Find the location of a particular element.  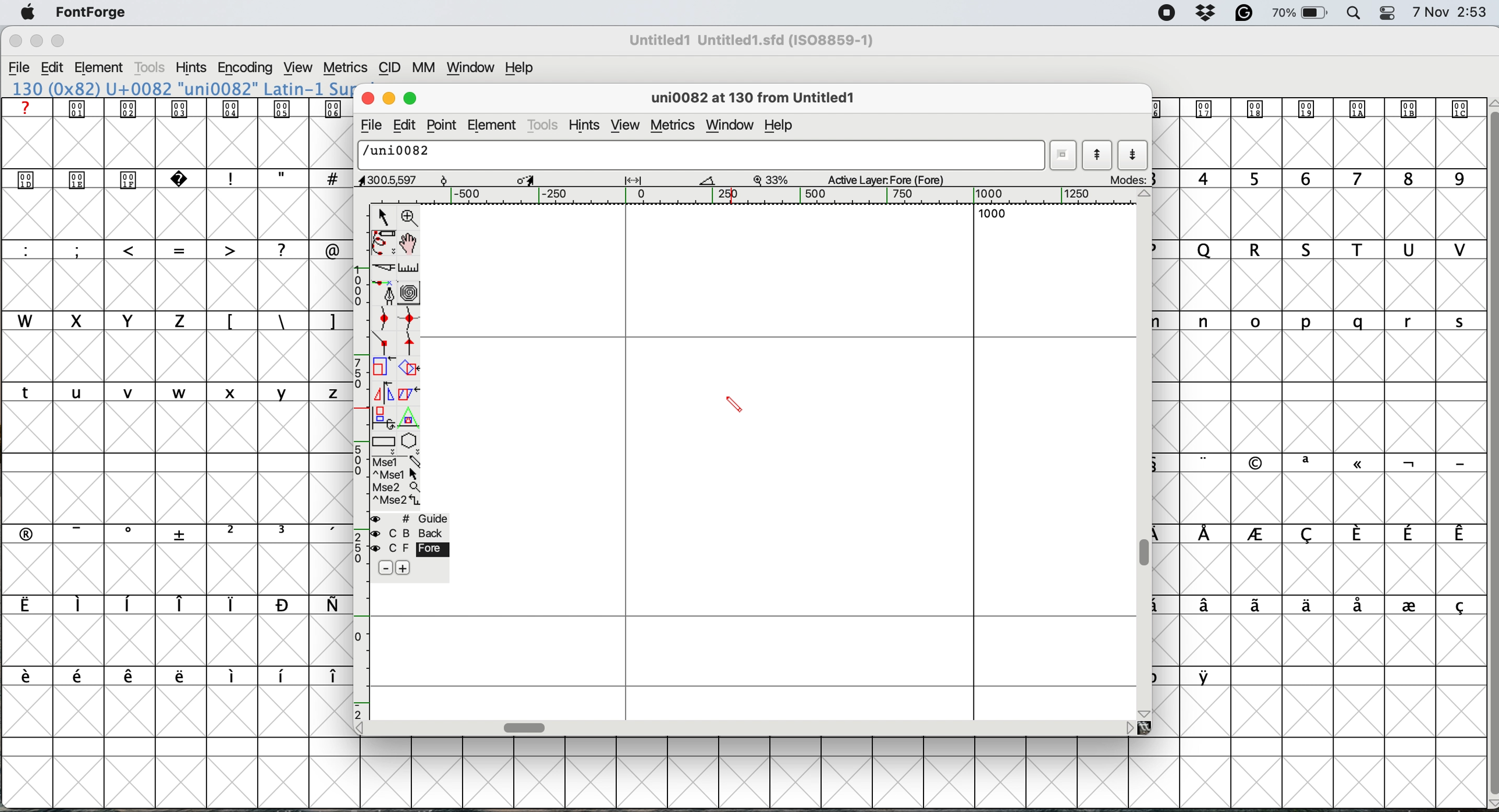

special characters is located at coordinates (168, 675).